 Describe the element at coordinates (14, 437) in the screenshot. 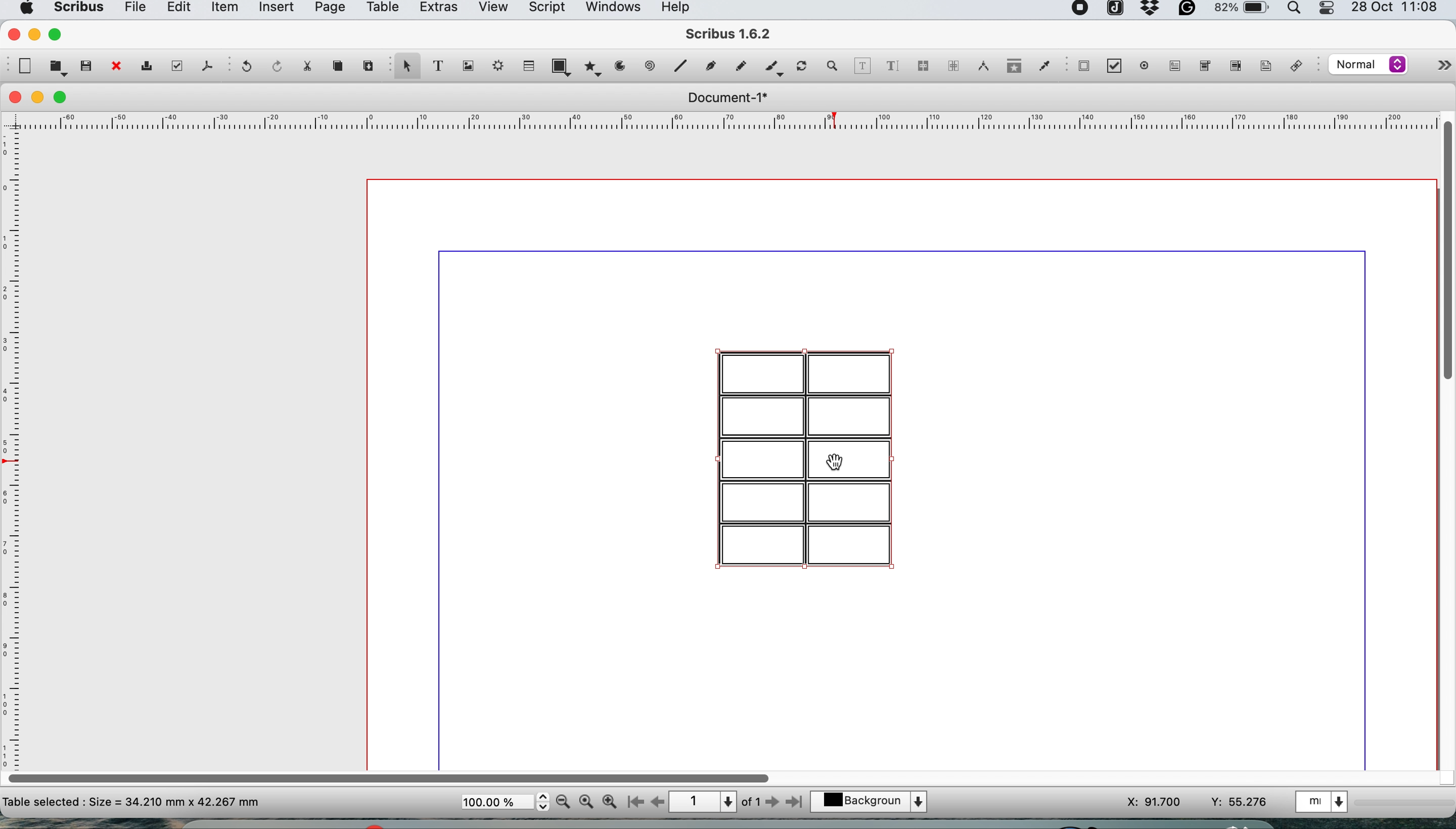

I see `vertical scale` at that location.